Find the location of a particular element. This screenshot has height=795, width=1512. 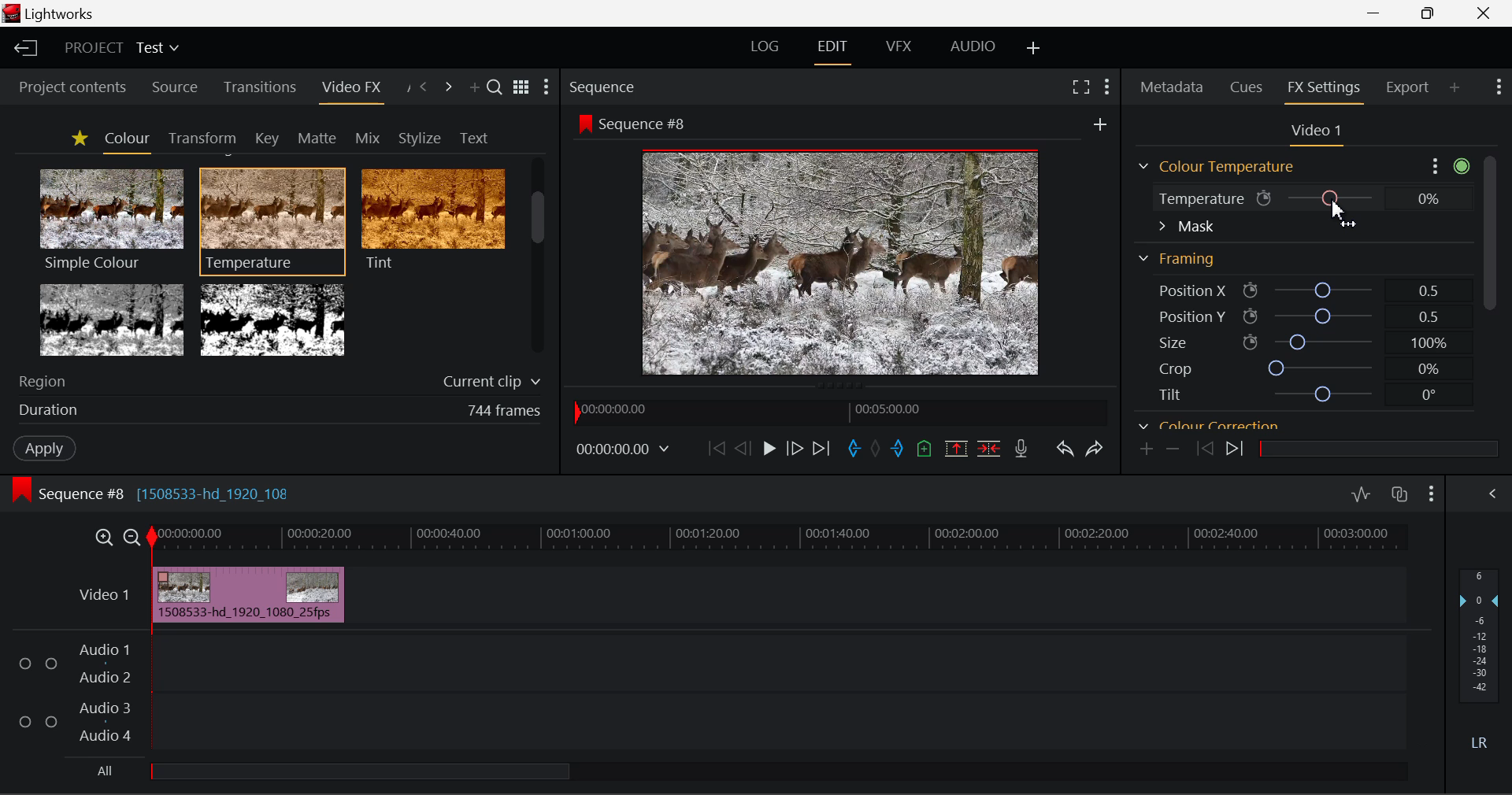

Toggle audio levels editing is located at coordinates (1360, 492).